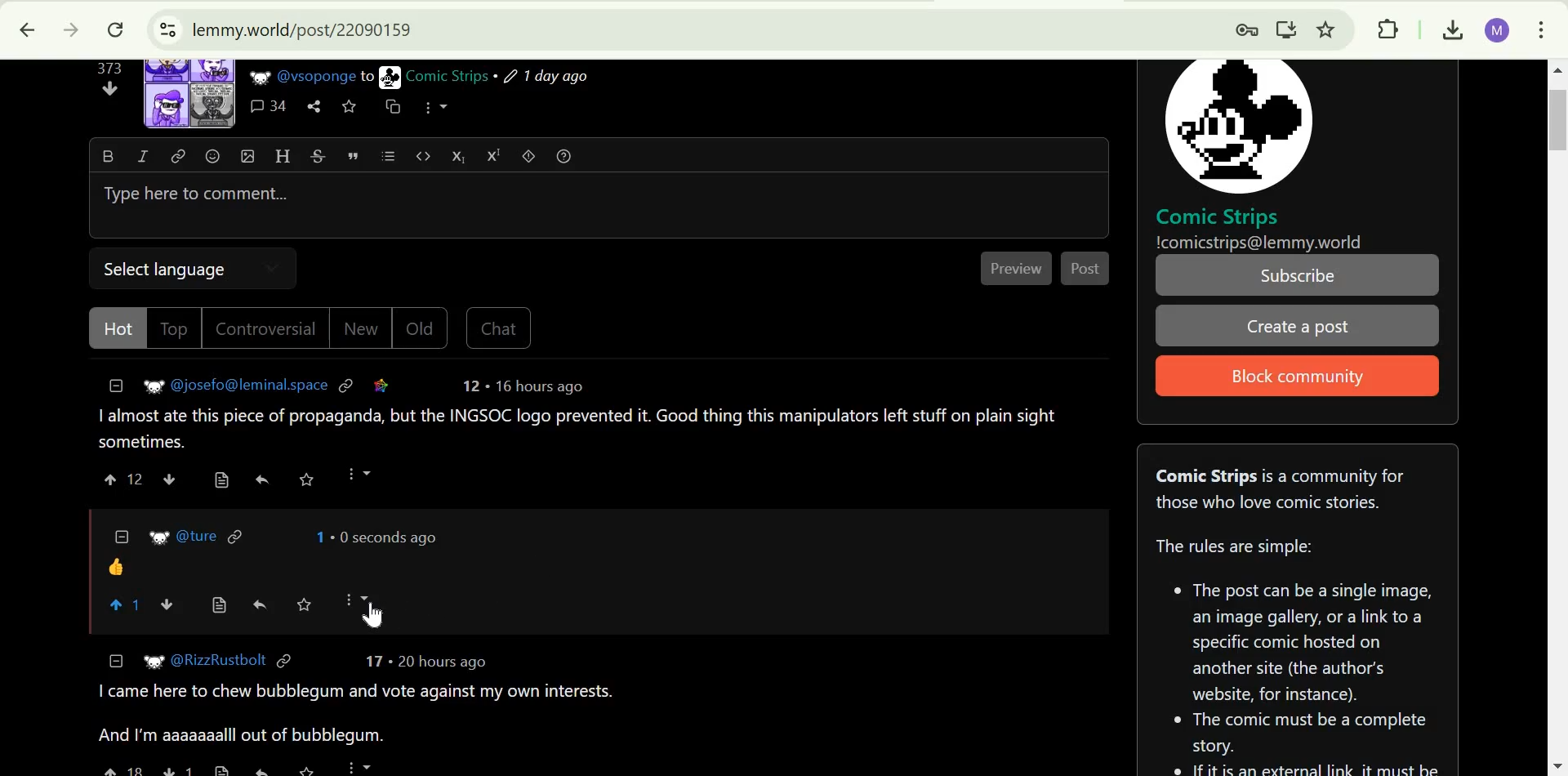 This screenshot has width=1568, height=776. Describe the element at coordinates (212, 156) in the screenshot. I see `Emoji` at that location.